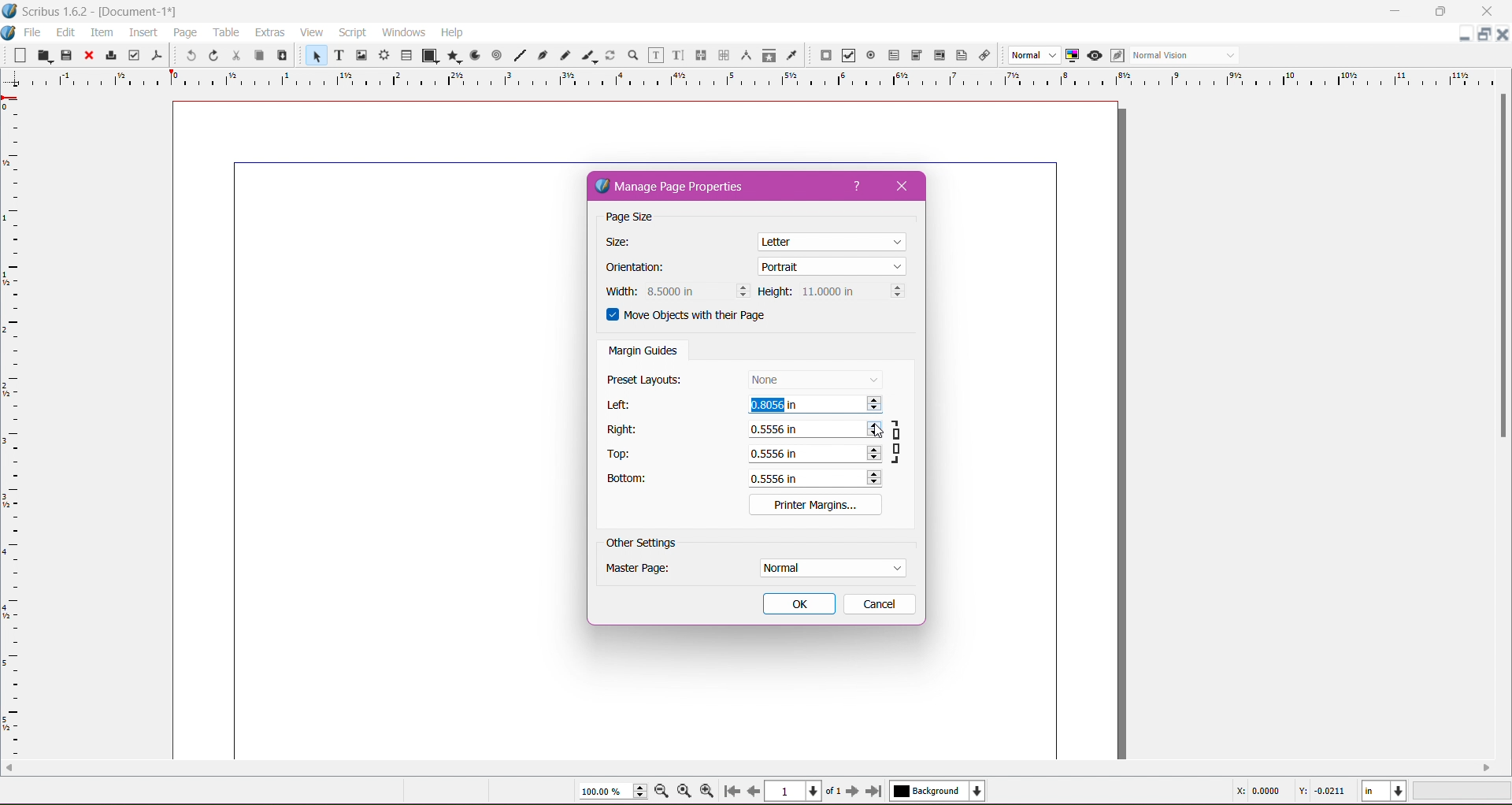  I want to click on Select the current unit, so click(1384, 792).